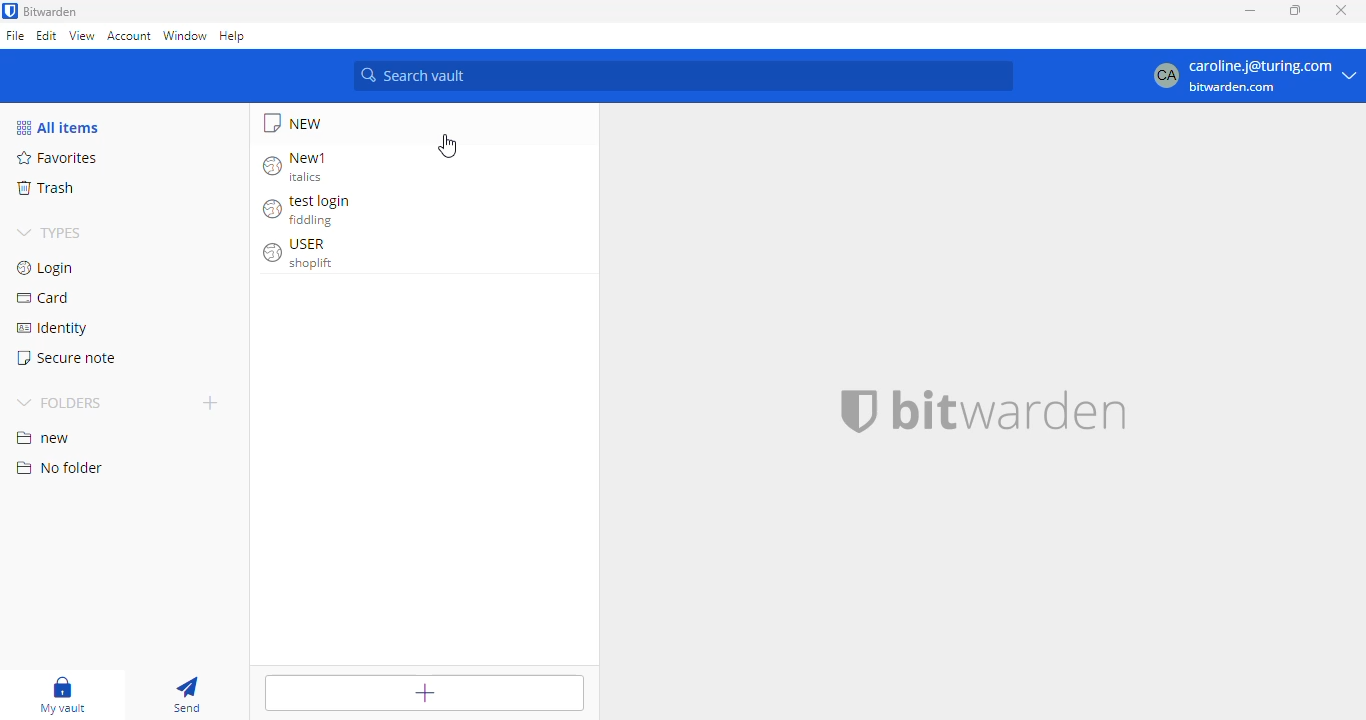 The image size is (1366, 720). Describe the element at coordinates (67, 358) in the screenshot. I see `secure note` at that location.